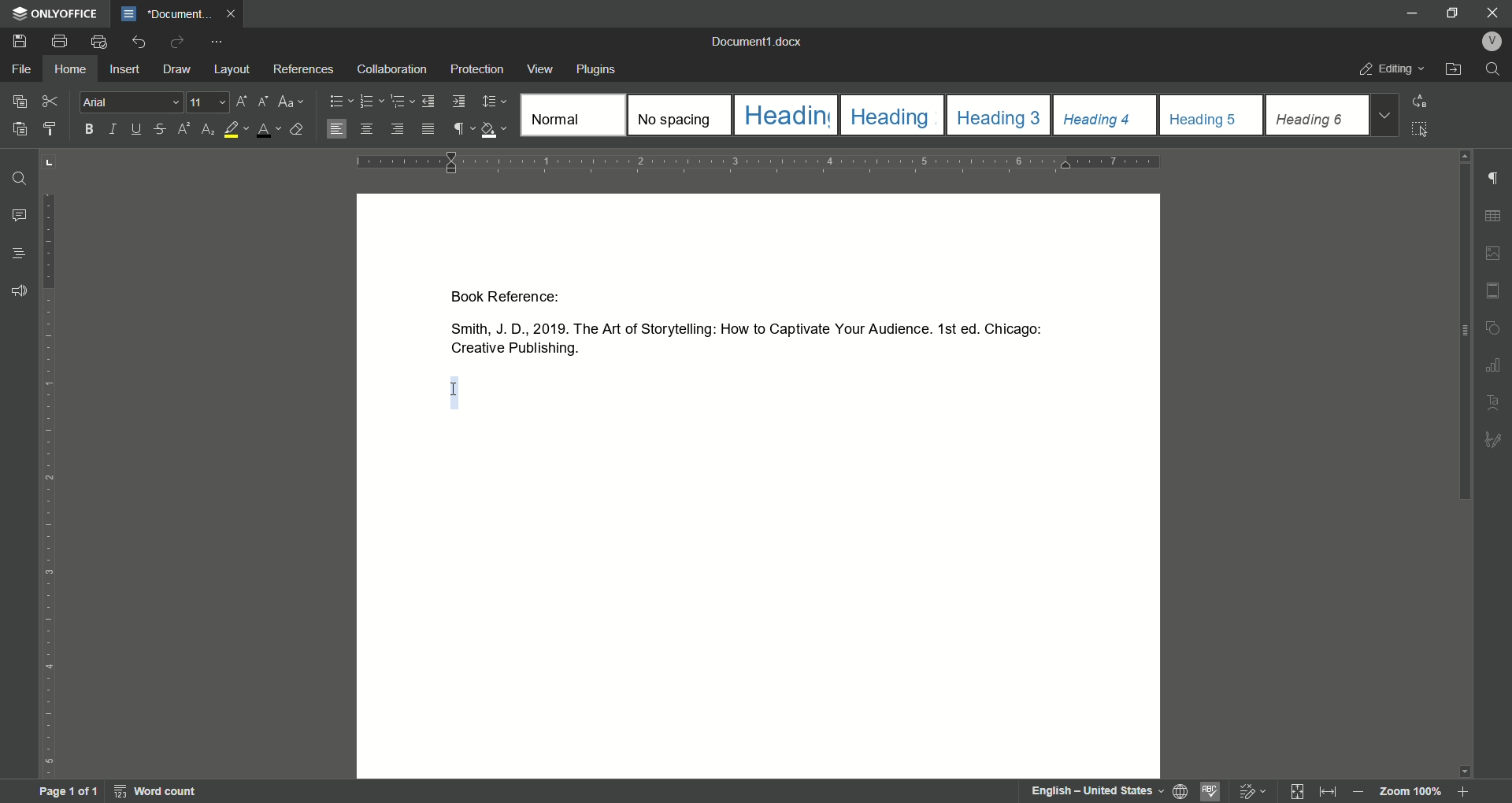  Describe the element at coordinates (1292, 791) in the screenshot. I see `fit to page` at that location.